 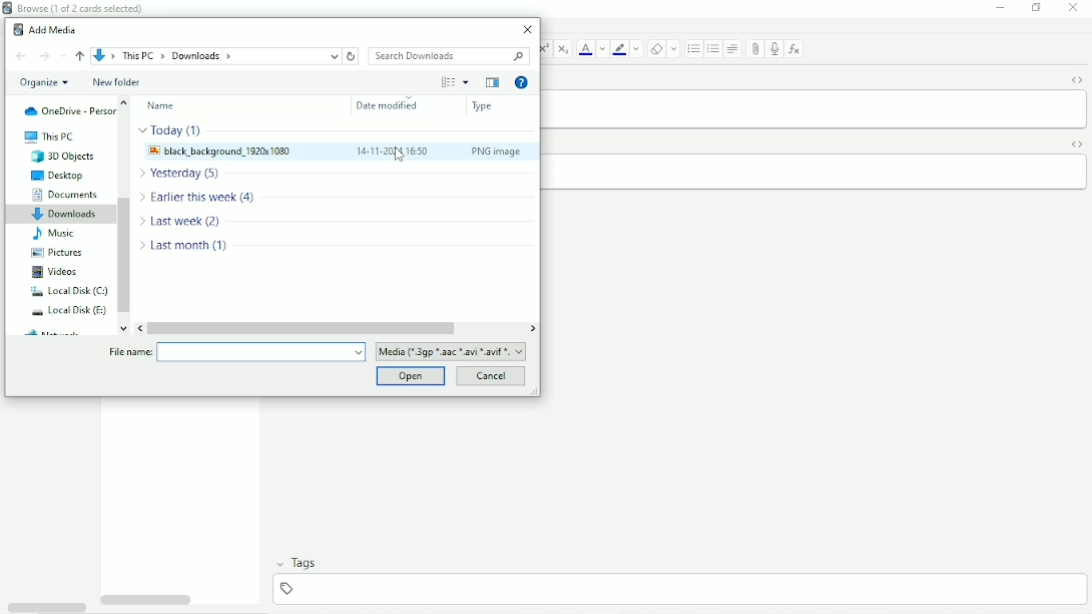 I want to click on Change color, so click(x=636, y=49).